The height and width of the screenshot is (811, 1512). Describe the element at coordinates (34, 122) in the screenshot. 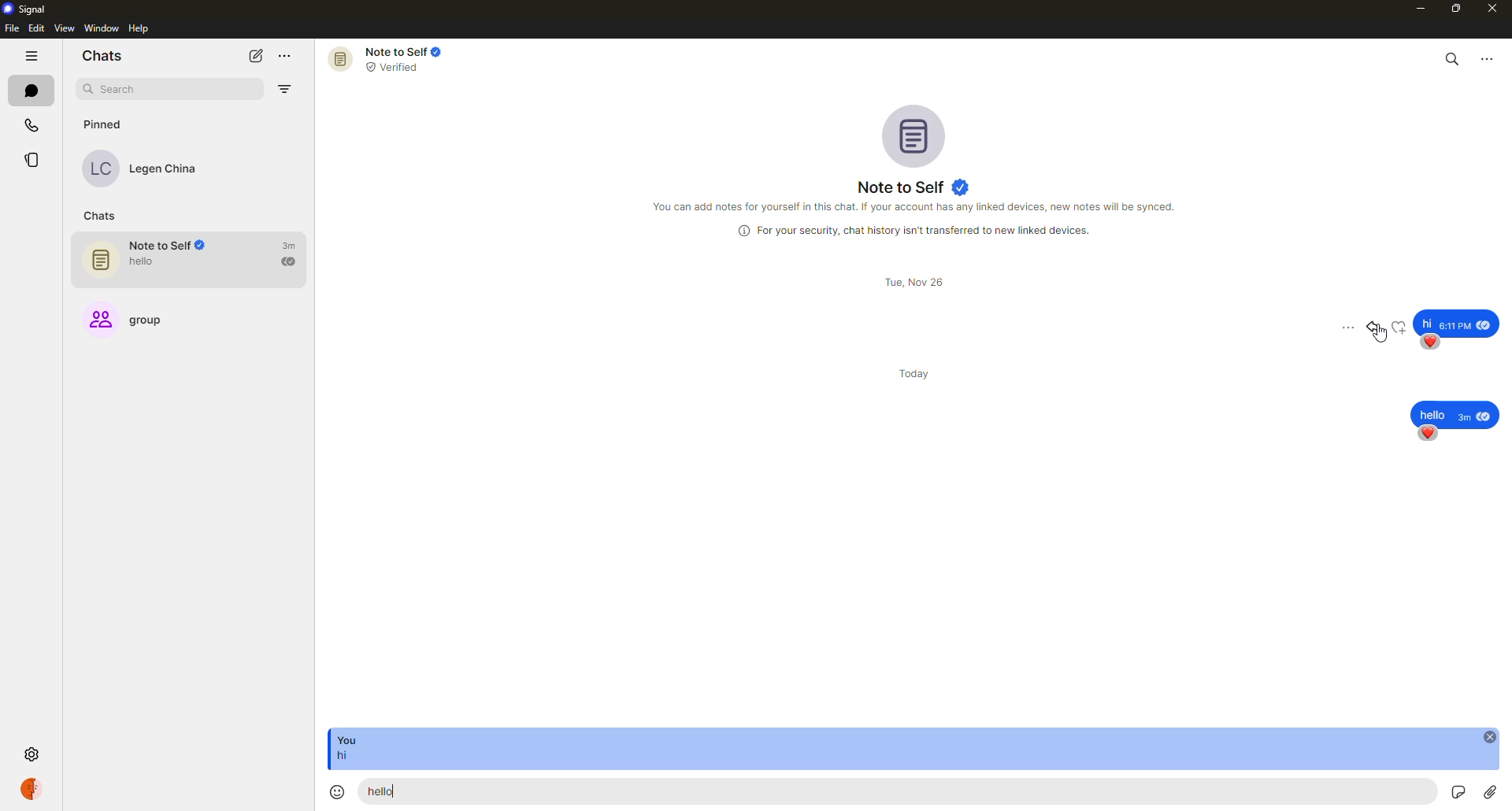

I see `calls` at that location.